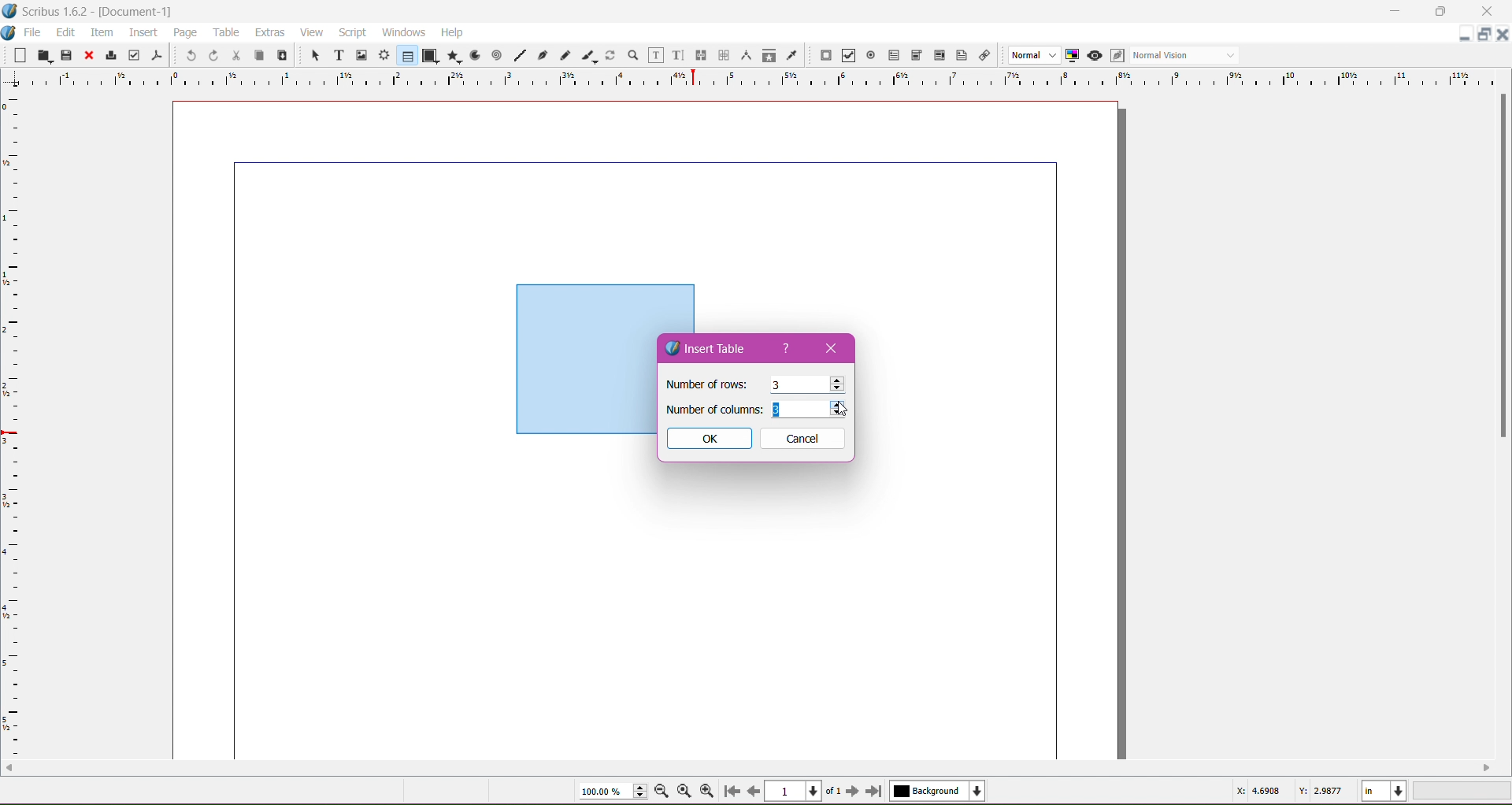 The width and height of the screenshot is (1512, 805). I want to click on Number of rows:, so click(707, 384).